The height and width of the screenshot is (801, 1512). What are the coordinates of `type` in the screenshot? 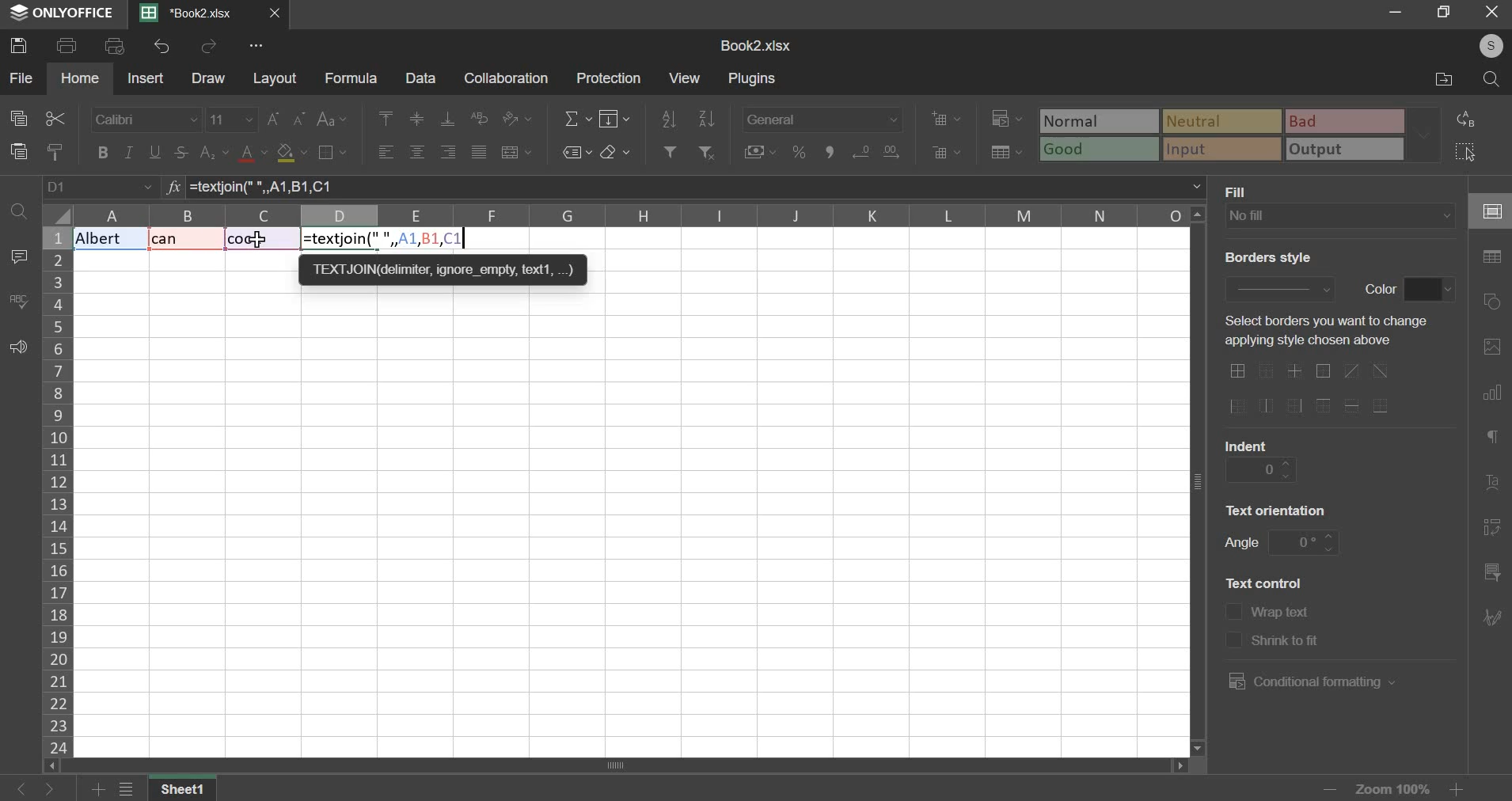 It's located at (1241, 135).